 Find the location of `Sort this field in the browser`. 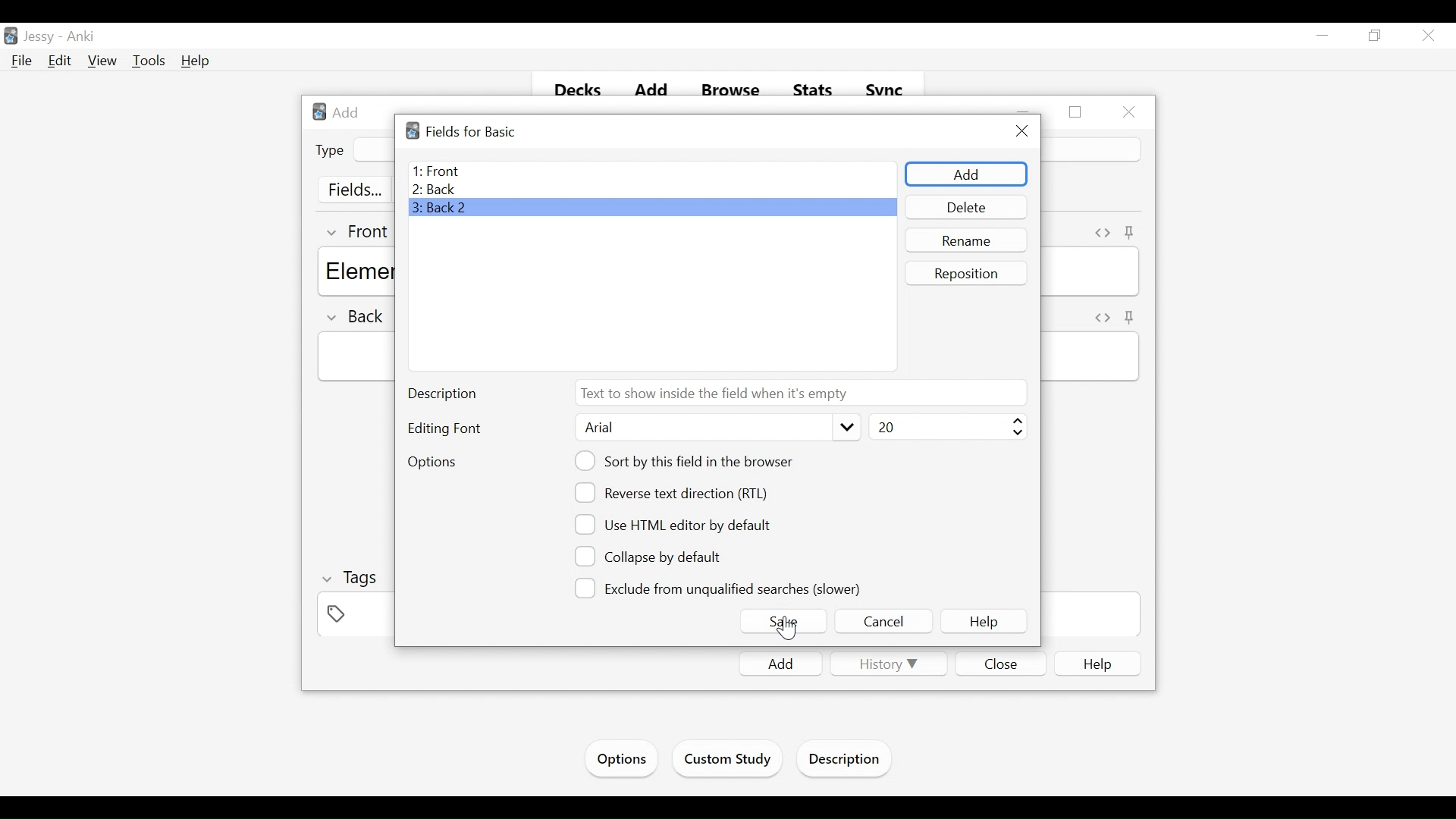

Sort this field in the browser is located at coordinates (686, 461).